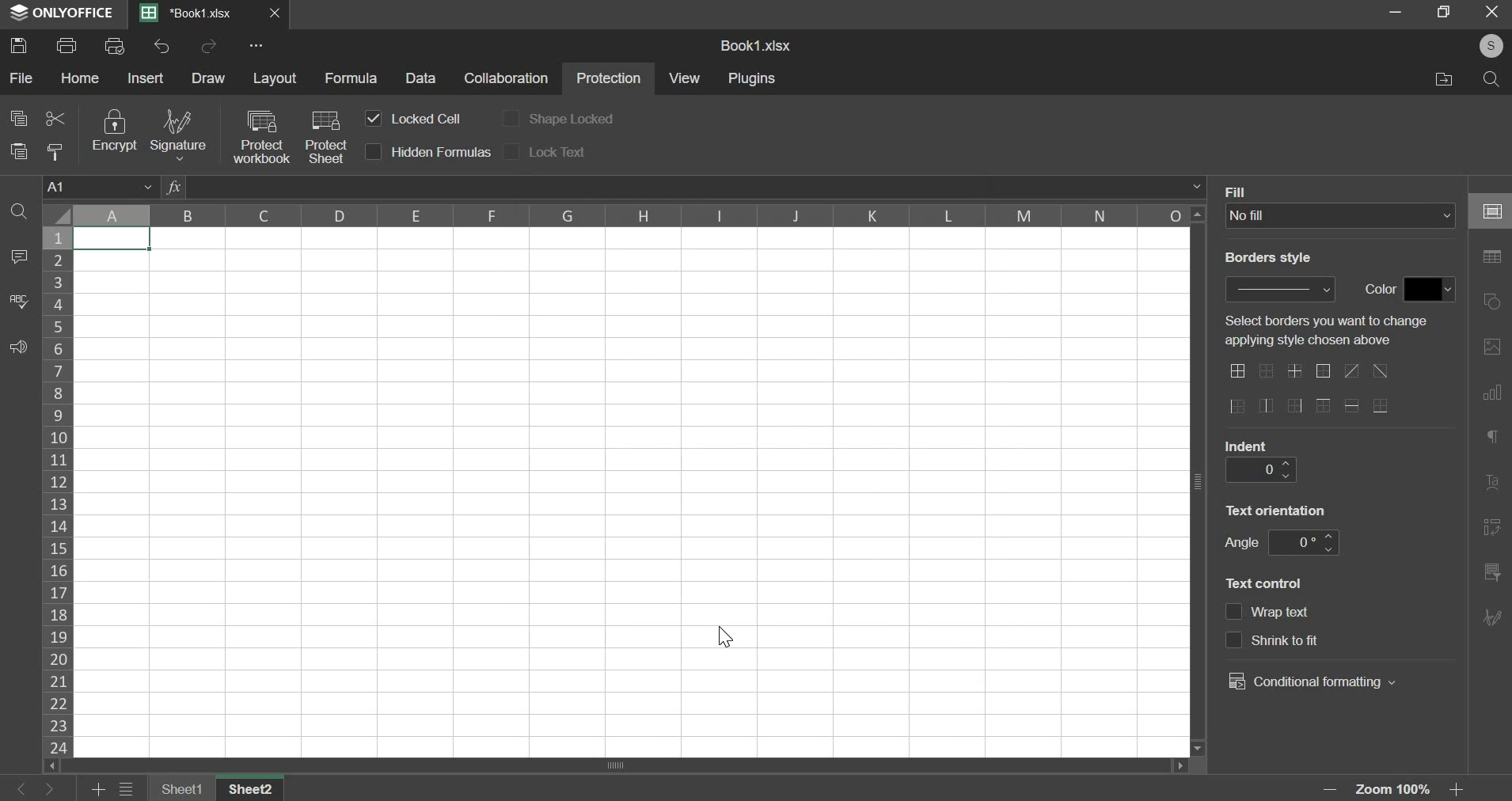 This screenshot has height=801, width=1512. Describe the element at coordinates (127, 790) in the screenshot. I see `menu` at that location.